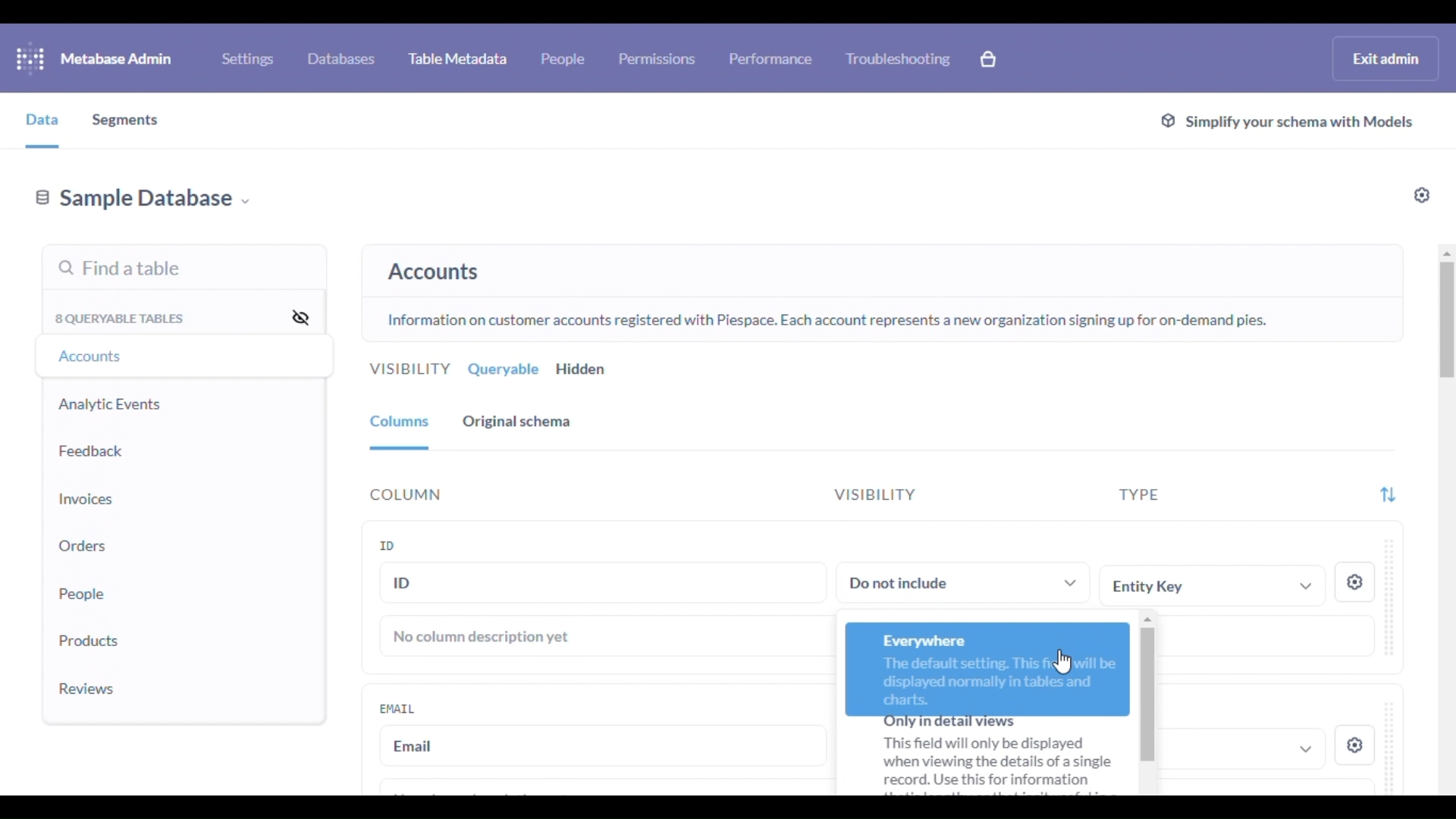 The height and width of the screenshot is (819, 1456). I want to click on segments, so click(127, 122).